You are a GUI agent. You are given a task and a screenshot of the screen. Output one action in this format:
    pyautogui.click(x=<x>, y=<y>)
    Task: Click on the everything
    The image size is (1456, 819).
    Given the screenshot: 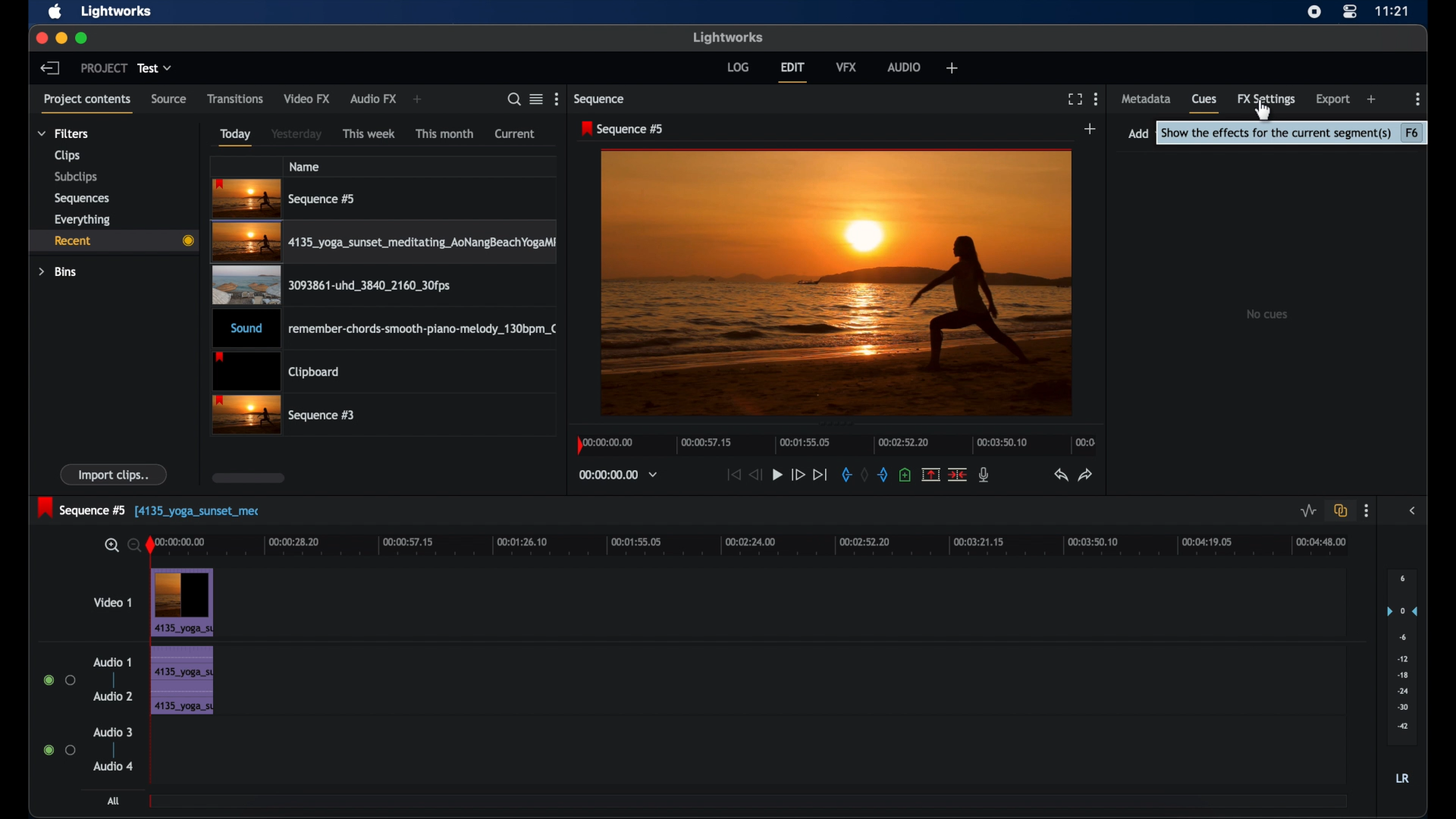 What is the action you would take?
    pyautogui.click(x=82, y=220)
    